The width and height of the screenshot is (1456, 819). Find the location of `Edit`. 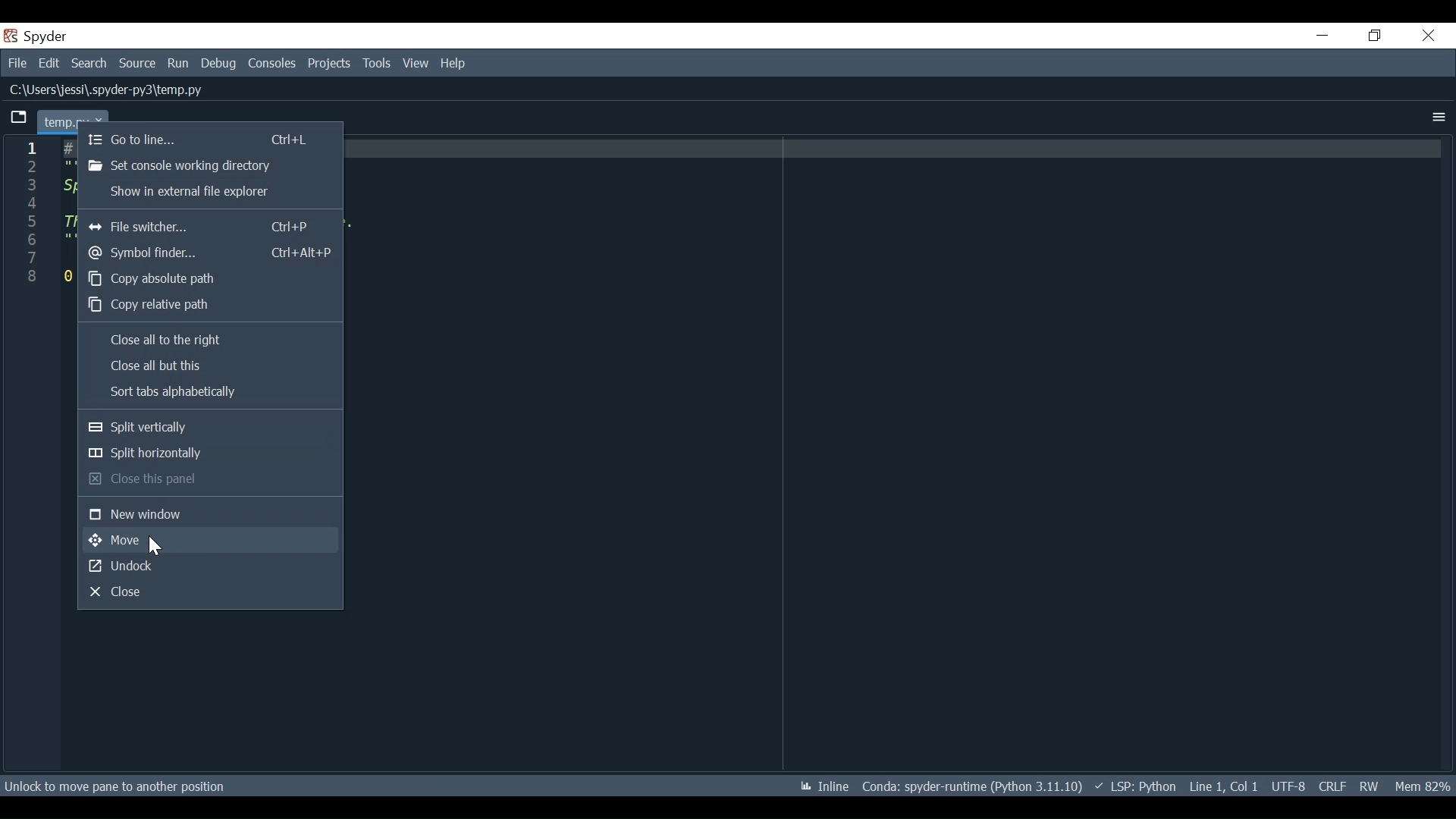

Edit is located at coordinates (51, 64).